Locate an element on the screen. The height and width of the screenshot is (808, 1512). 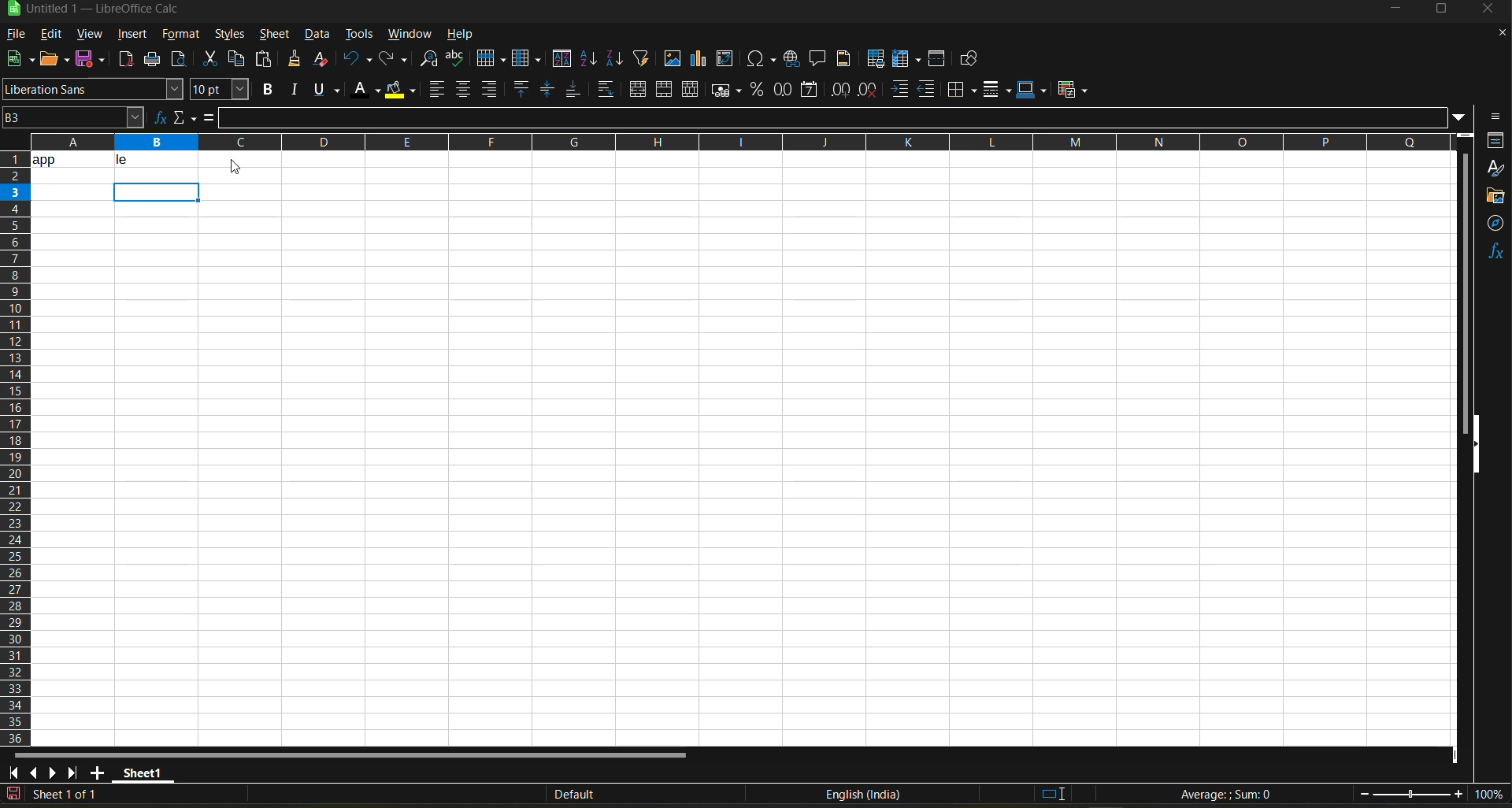
increase indent is located at coordinates (902, 90).